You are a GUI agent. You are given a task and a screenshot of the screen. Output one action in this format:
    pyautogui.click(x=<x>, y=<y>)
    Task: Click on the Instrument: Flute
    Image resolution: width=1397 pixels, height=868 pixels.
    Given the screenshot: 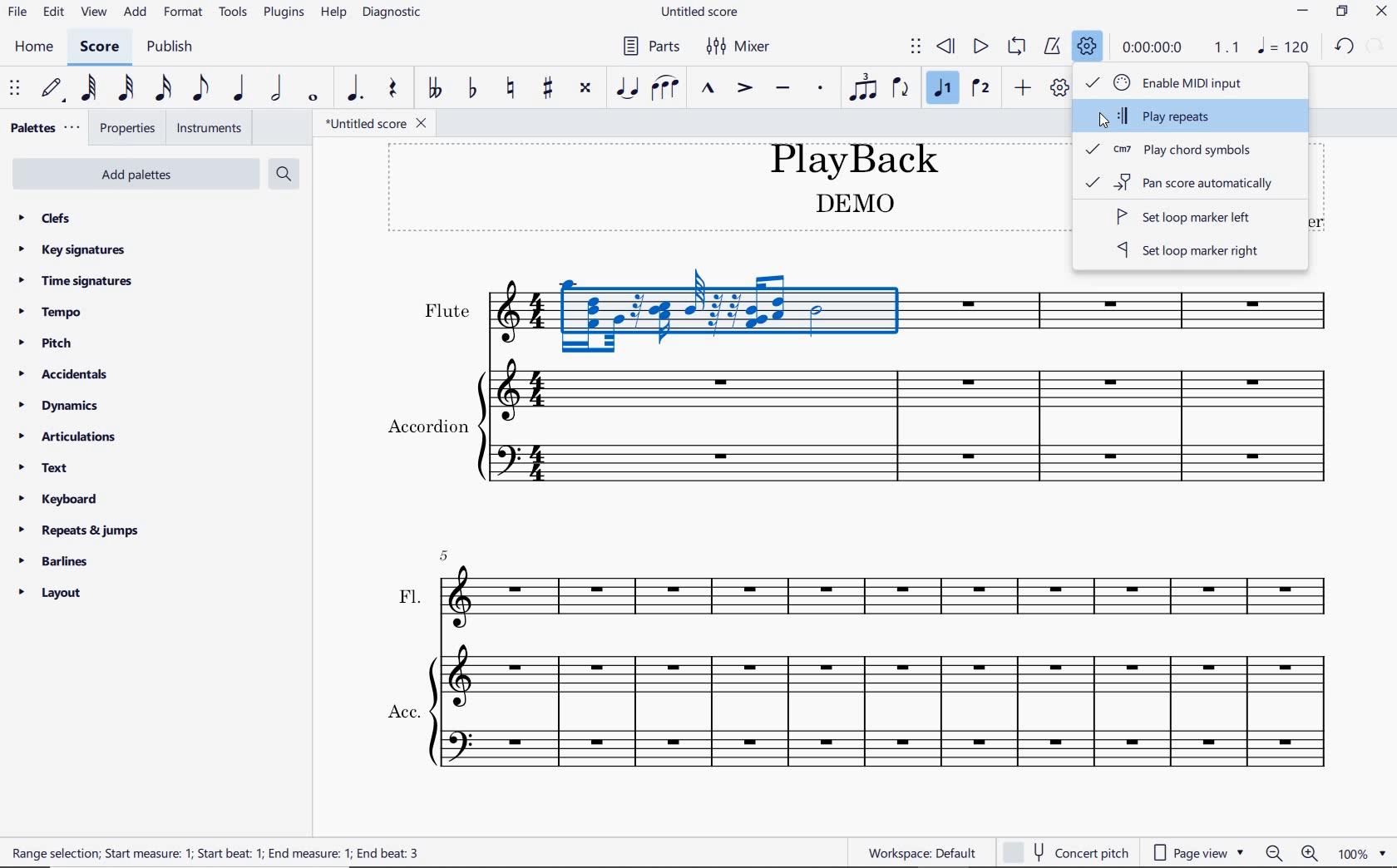 What is the action you would take?
    pyautogui.click(x=869, y=306)
    